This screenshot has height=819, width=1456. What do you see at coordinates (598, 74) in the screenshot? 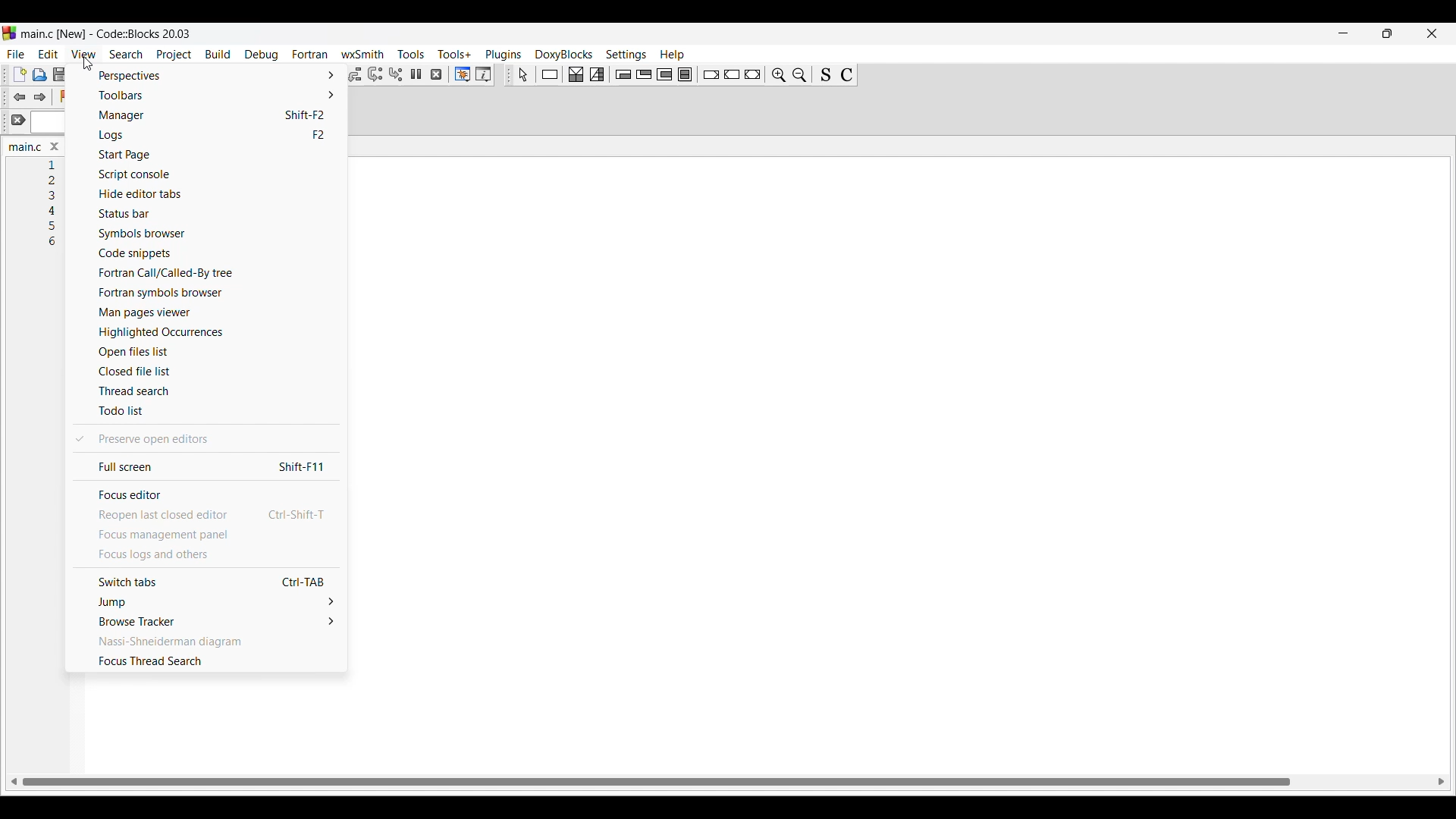
I see `Selection` at bounding box center [598, 74].